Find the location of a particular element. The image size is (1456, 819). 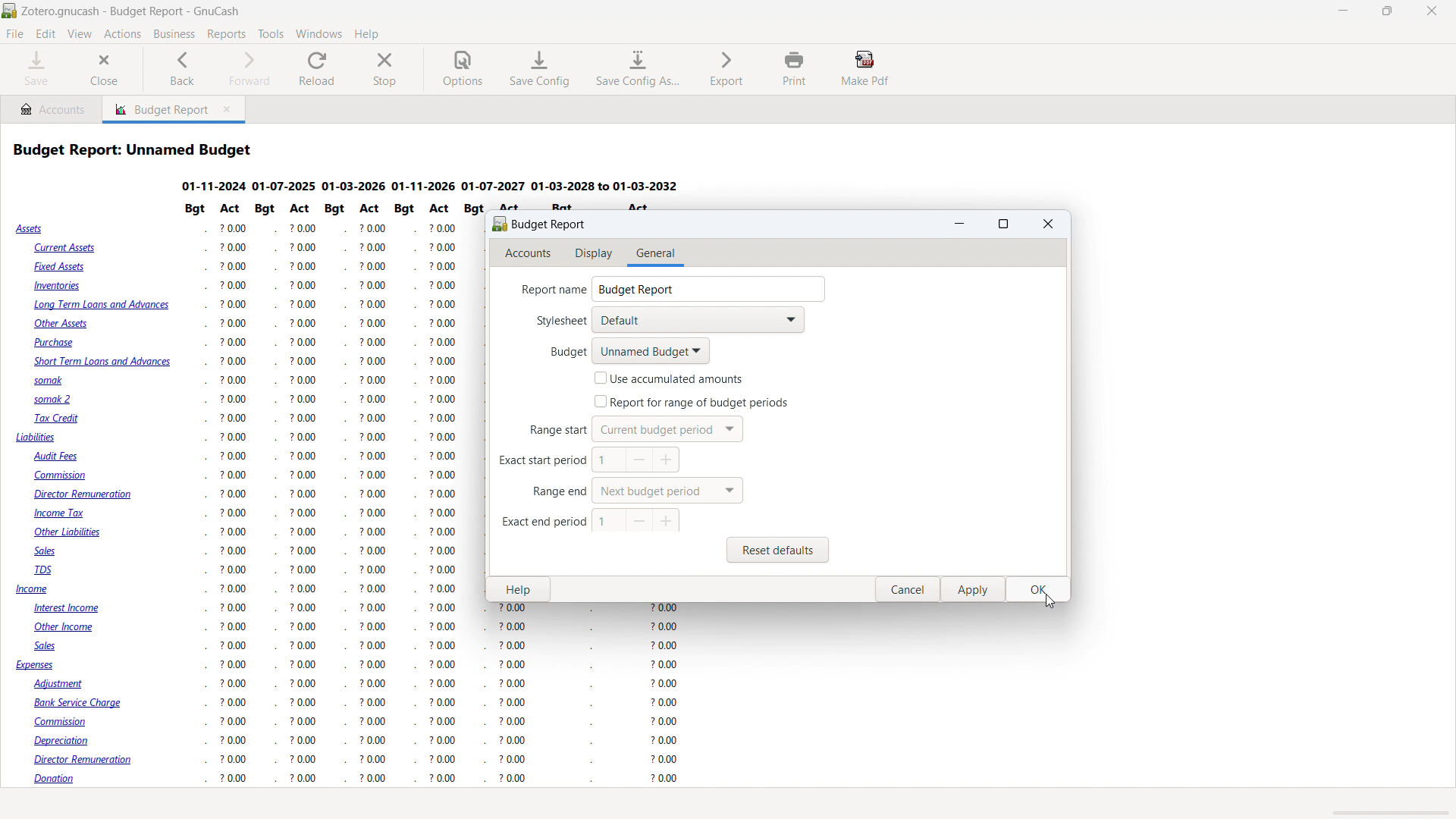

title is located at coordinates (132, 11).